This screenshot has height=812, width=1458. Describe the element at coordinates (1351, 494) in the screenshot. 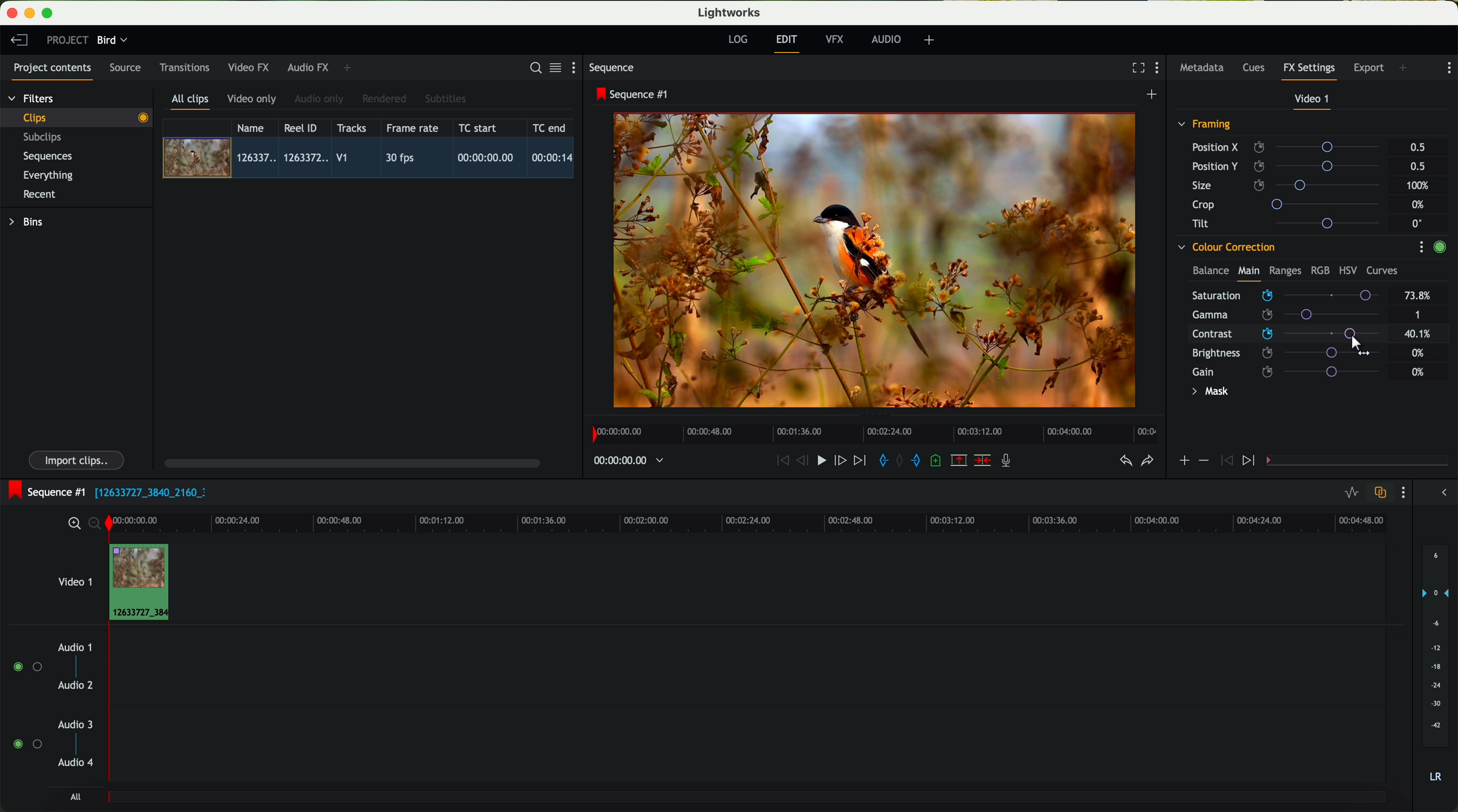

I see `toggle audio levels editing` at that location.